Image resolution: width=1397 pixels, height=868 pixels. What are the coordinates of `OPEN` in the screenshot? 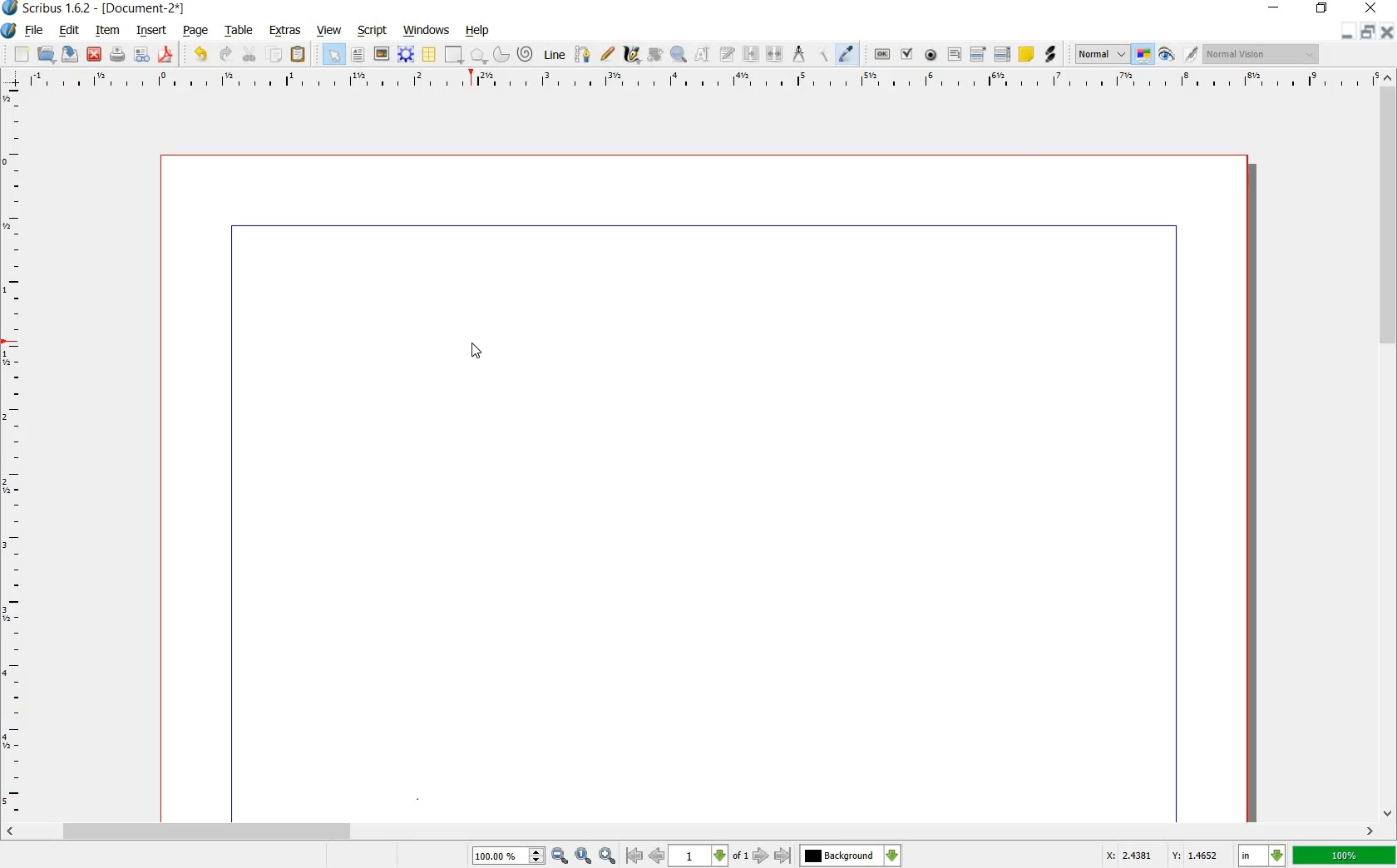 It's located at (47, 55).